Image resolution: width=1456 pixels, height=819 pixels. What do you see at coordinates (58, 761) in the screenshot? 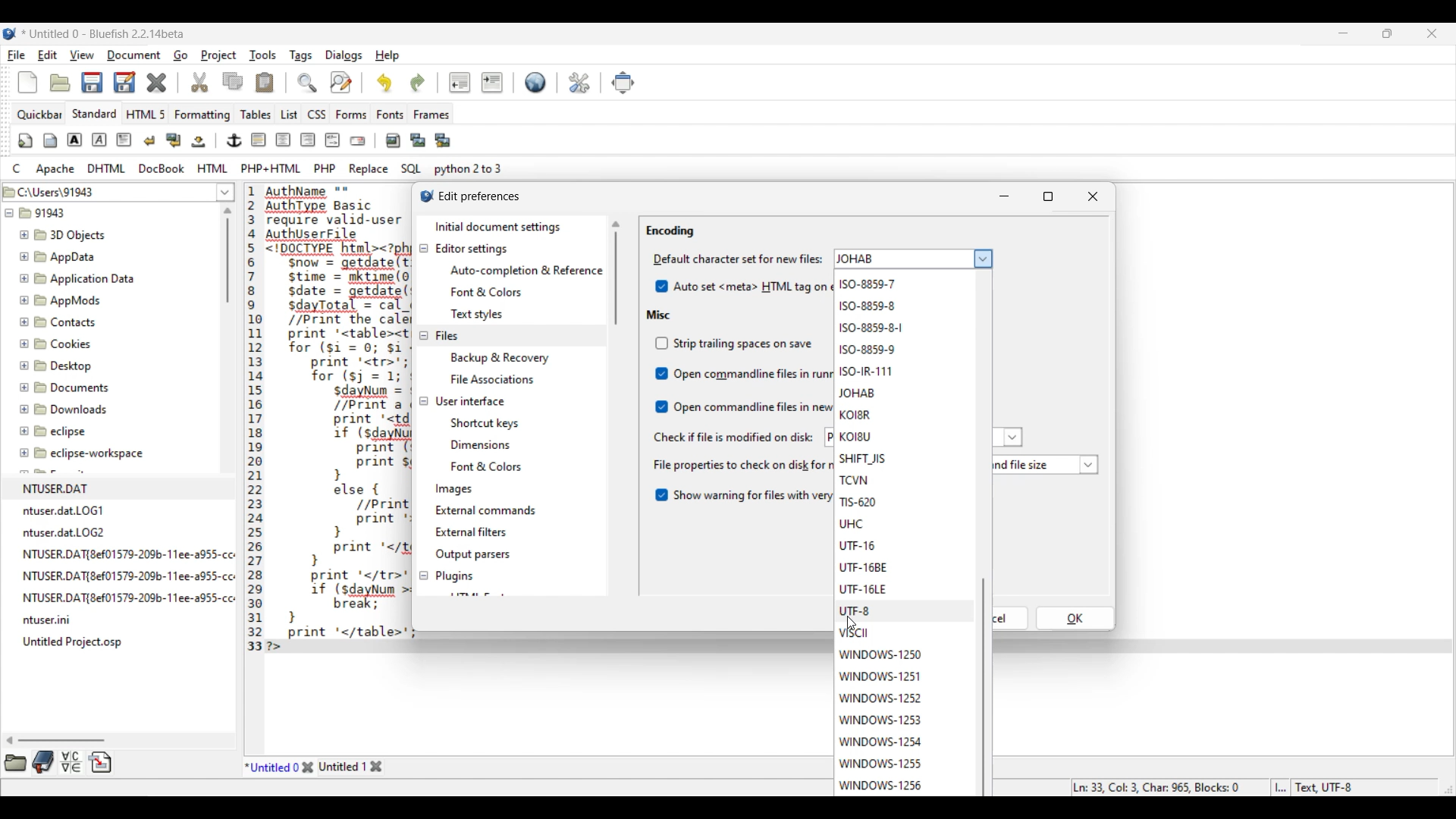
I see `More tool options` at bounding box center [58, 761].